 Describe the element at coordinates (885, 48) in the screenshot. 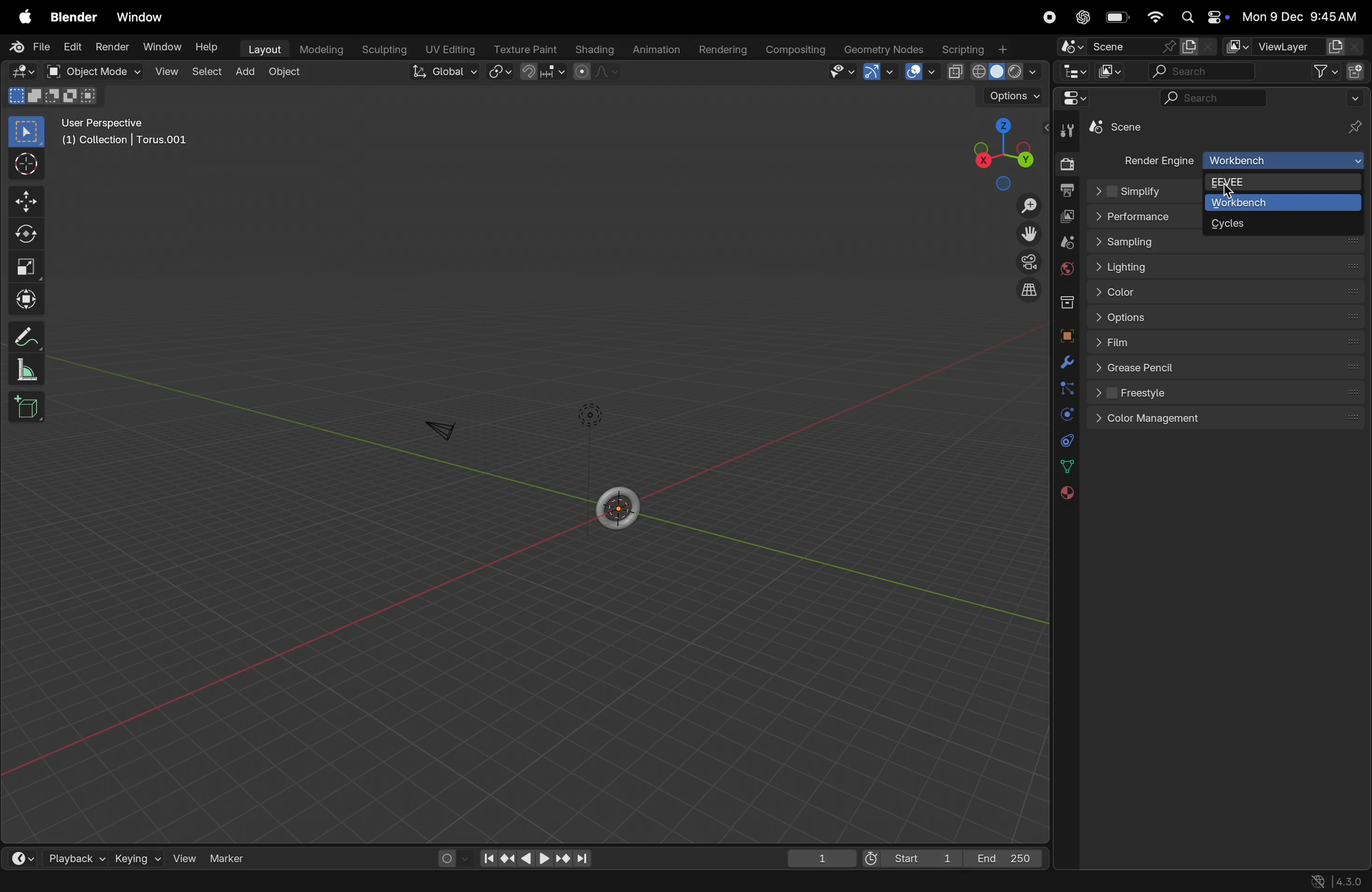

I see `Geomtery notes` at that location.